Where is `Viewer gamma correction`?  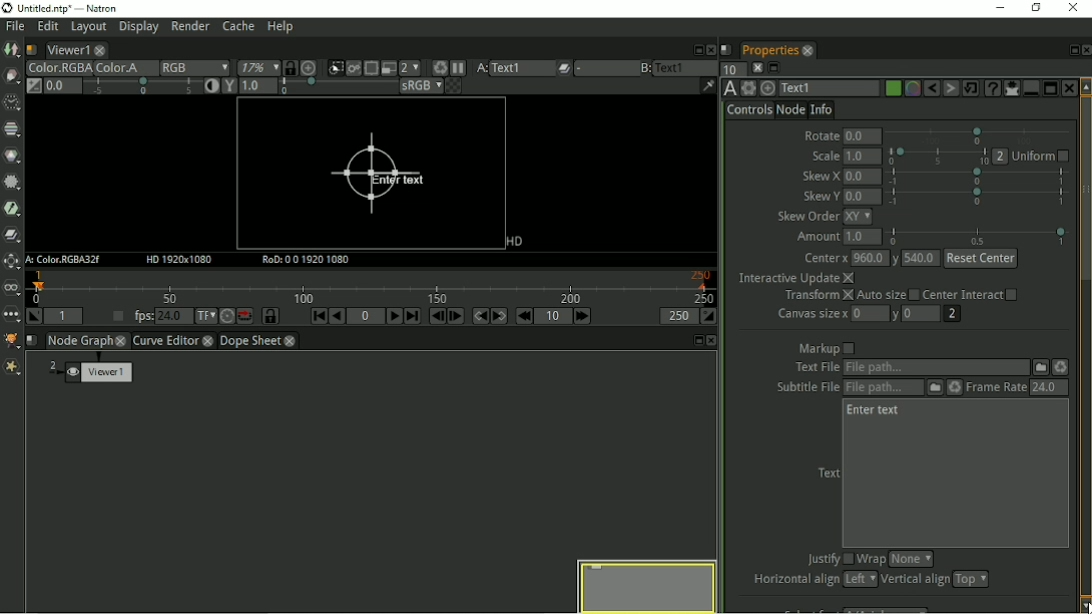 Viewer gamma correction is located at coordinates (228, 87).